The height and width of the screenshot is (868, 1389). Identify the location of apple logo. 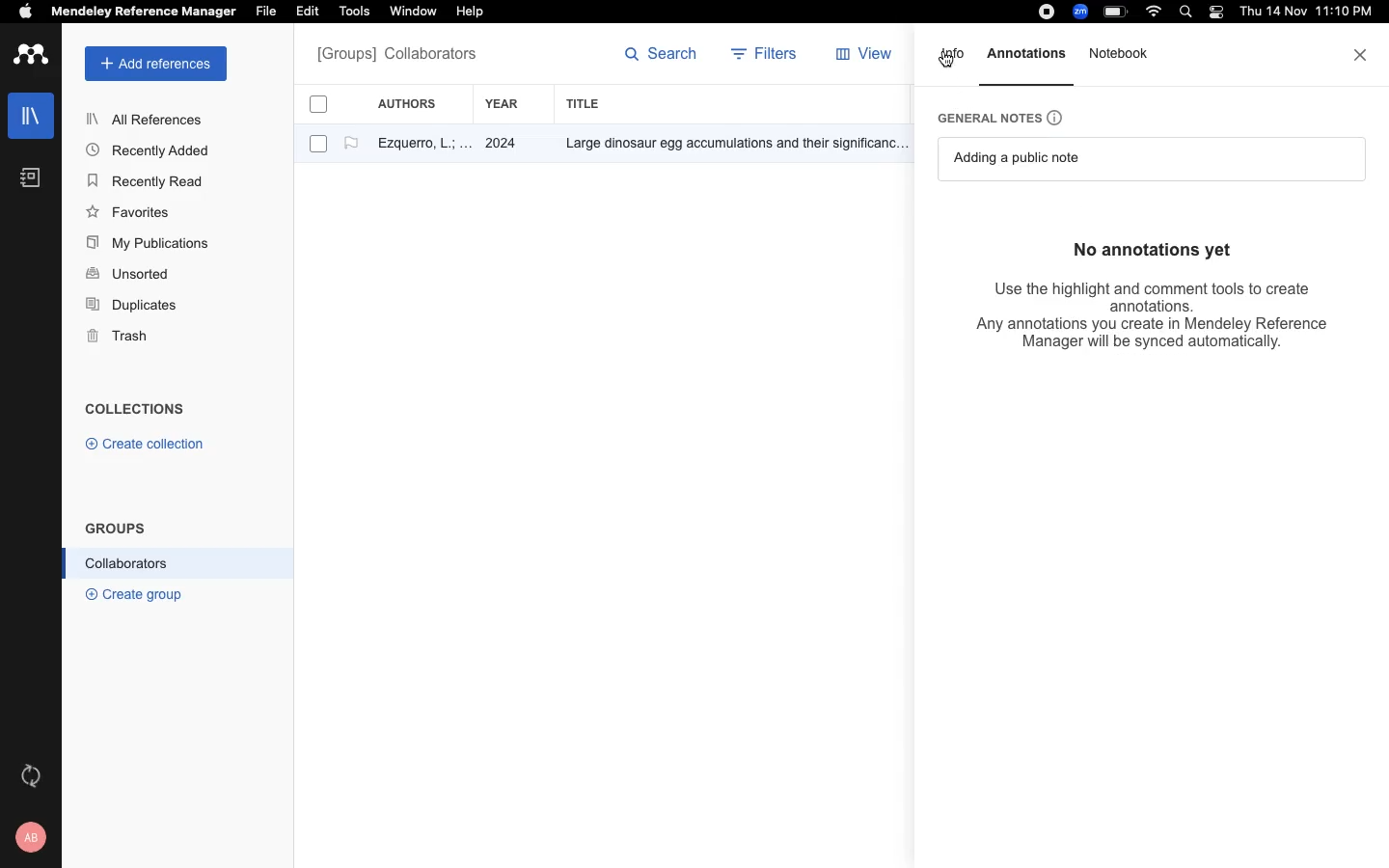
(26, 14).